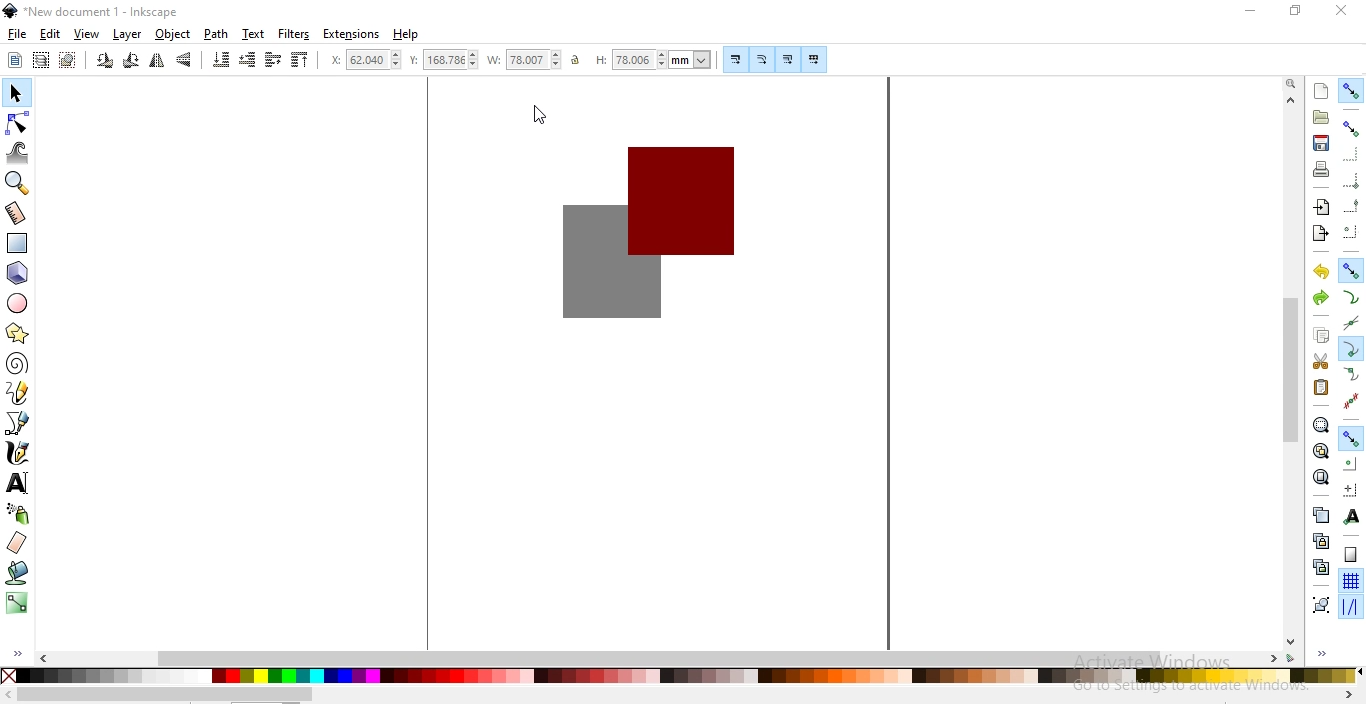 The height and width of the screenshot is (704, 1366). What do you see at coordinates (1352, 436) in the screenshot?
I see `snap other points` at bounding box center [1352, 436].